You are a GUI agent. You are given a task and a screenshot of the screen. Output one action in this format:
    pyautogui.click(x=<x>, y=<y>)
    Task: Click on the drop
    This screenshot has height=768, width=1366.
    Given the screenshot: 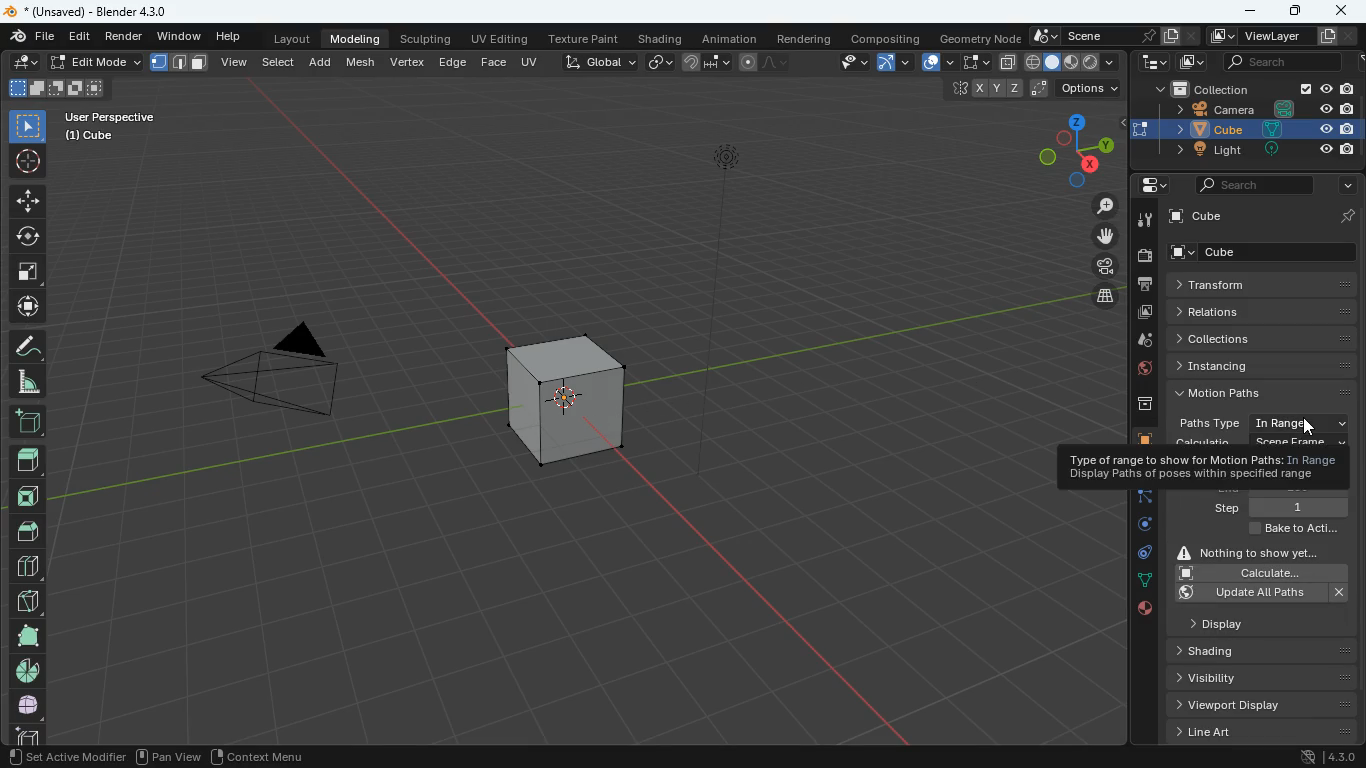 What is the action you would take?
    pyautogui.click(x=1139, y=342)
    